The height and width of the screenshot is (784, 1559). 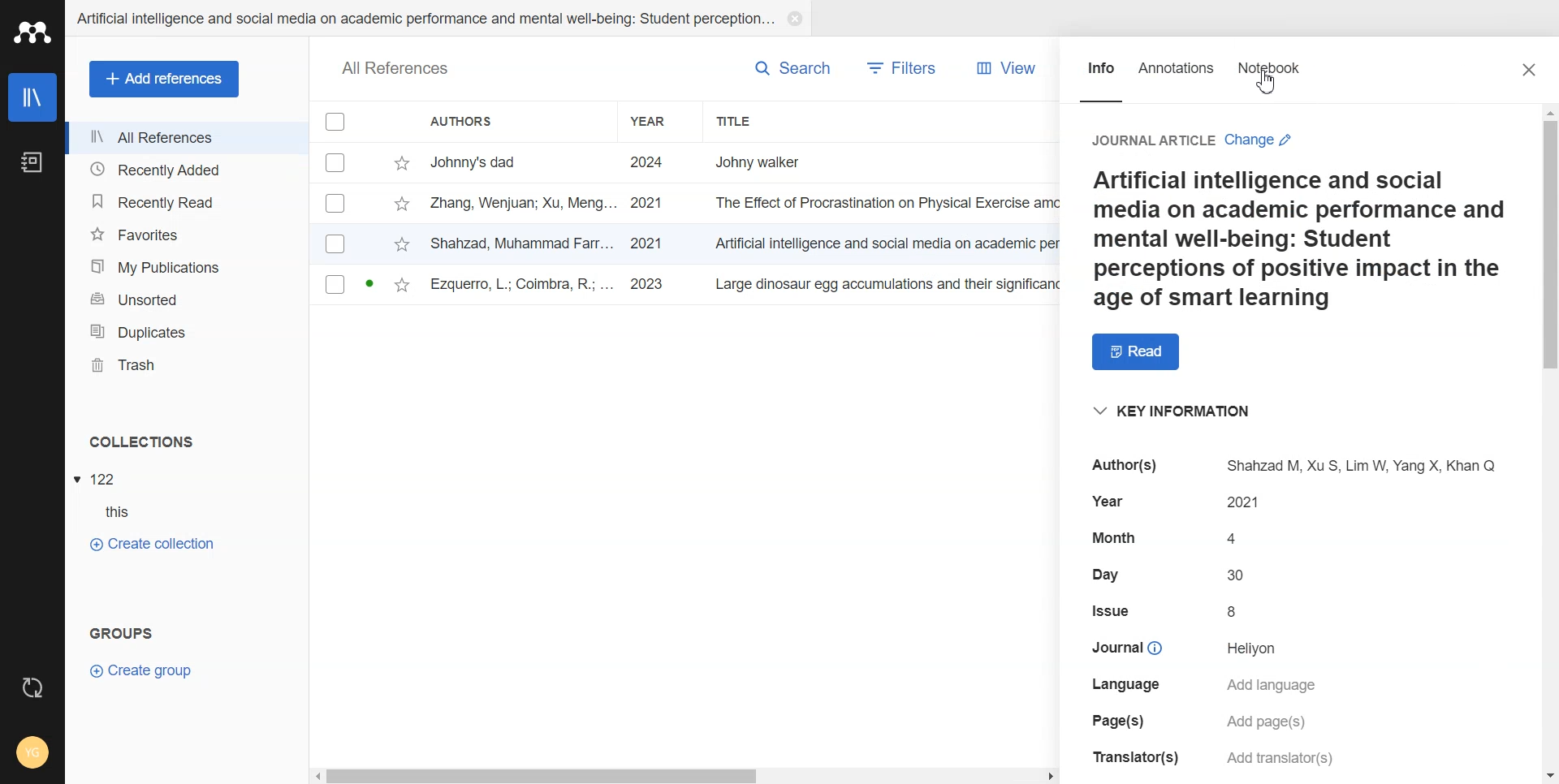 What do you see at coordinates (188, 442) in the screenshot?
I see `Collections` at bounding box center [188, 442].